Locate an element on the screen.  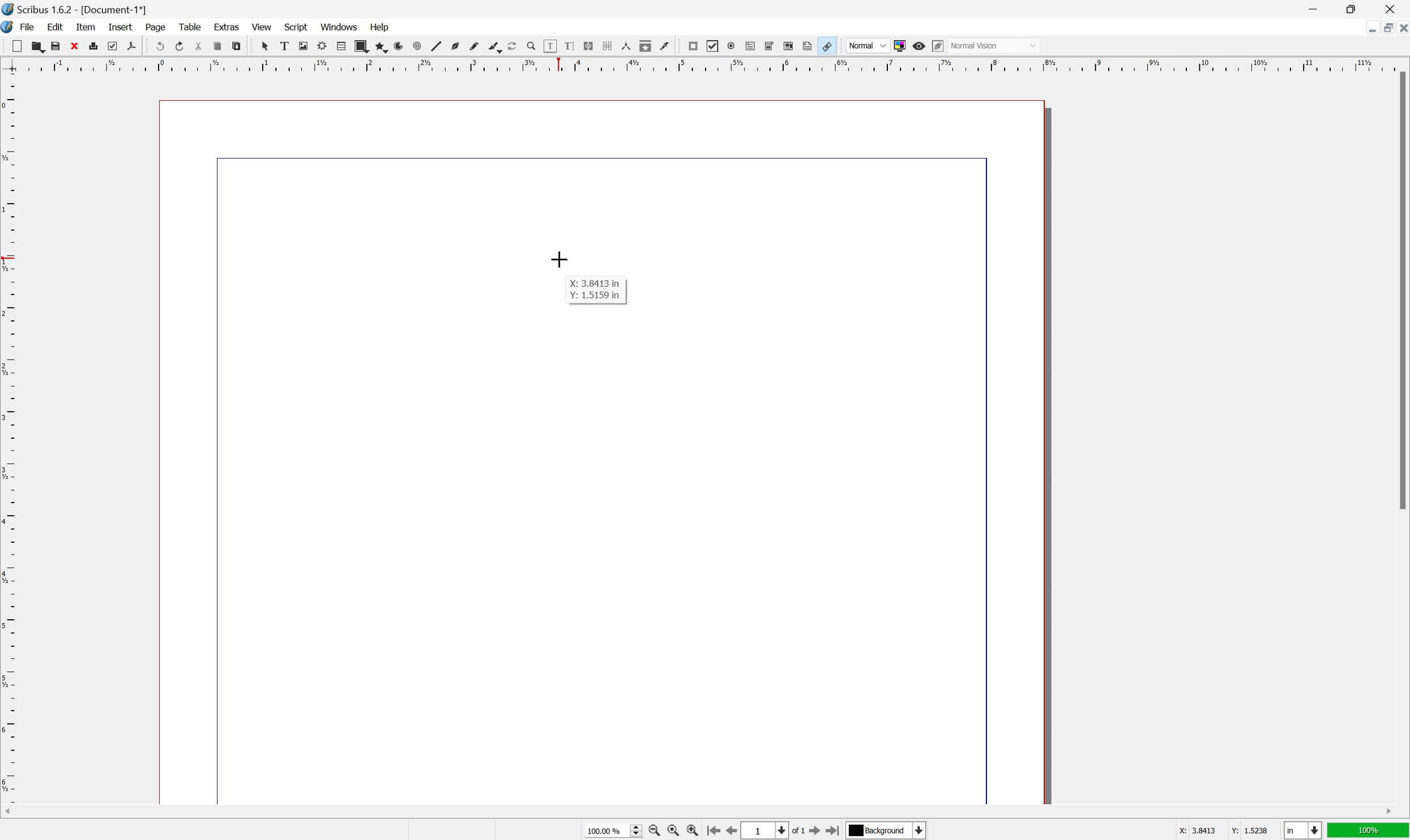
edit in preview mode is located at coordinates (938, 46).